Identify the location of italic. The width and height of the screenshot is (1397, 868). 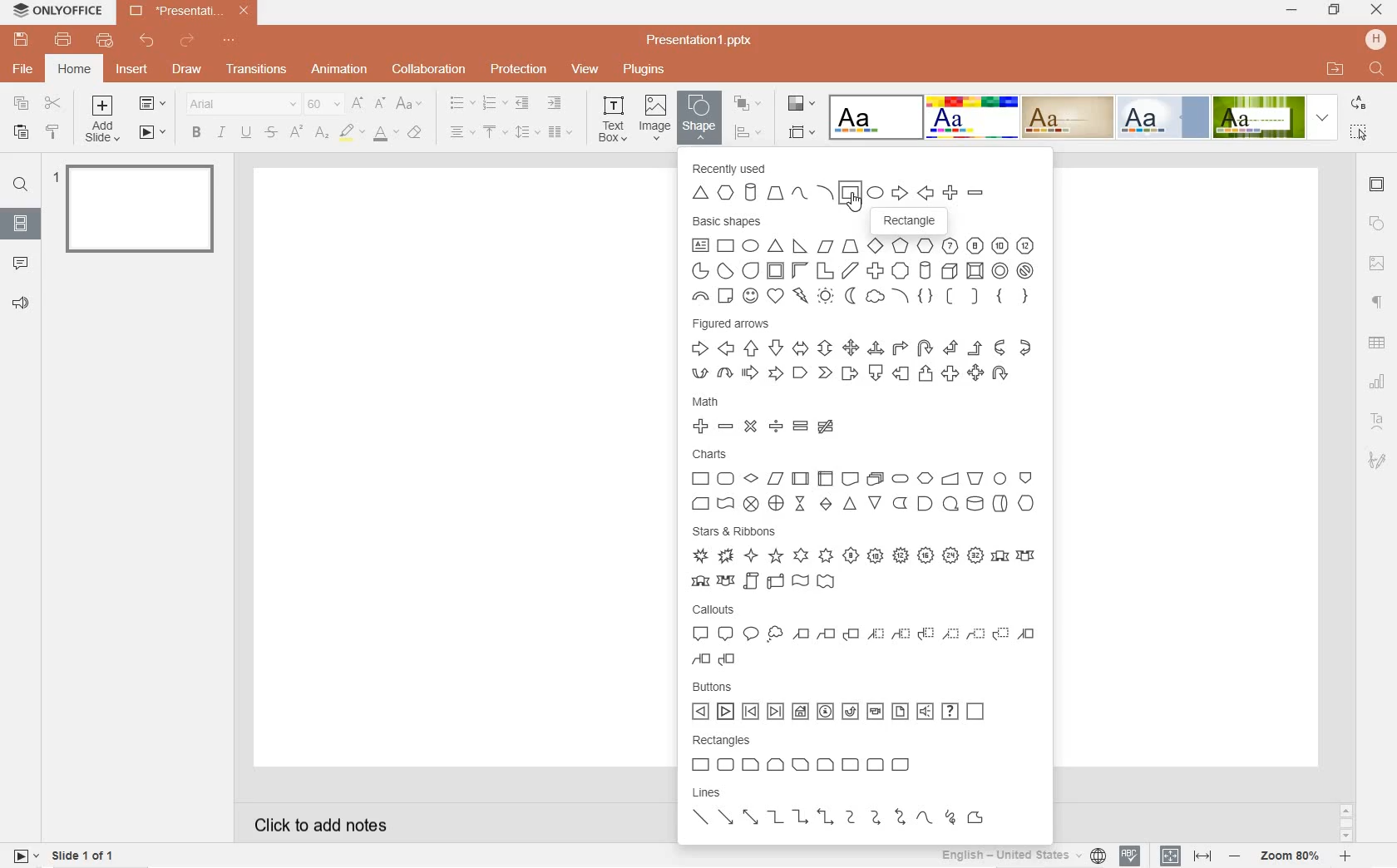
(221, 132).